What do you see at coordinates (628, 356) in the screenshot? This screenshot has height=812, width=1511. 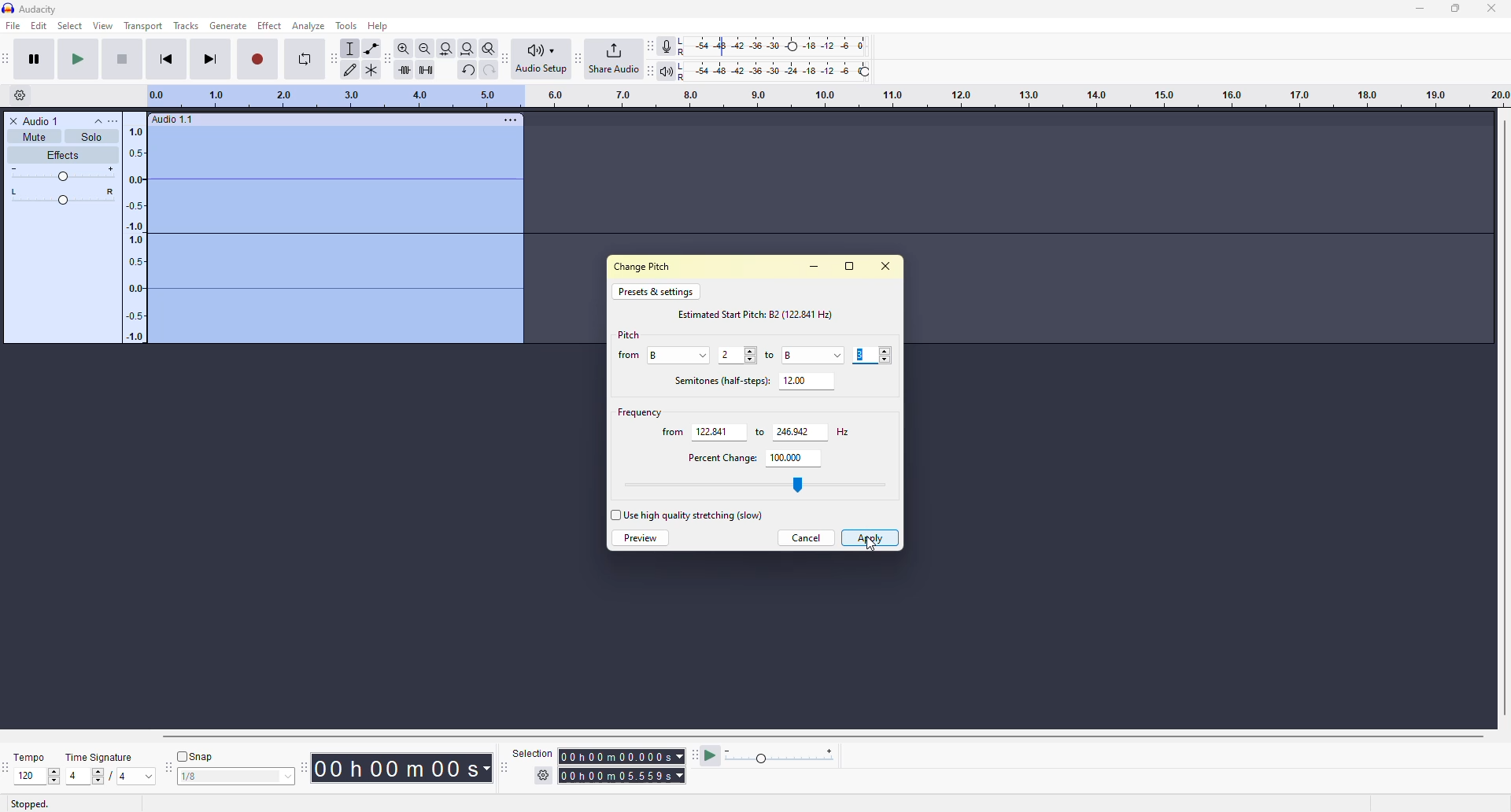 I see `from` at bounding box center [628, 356].